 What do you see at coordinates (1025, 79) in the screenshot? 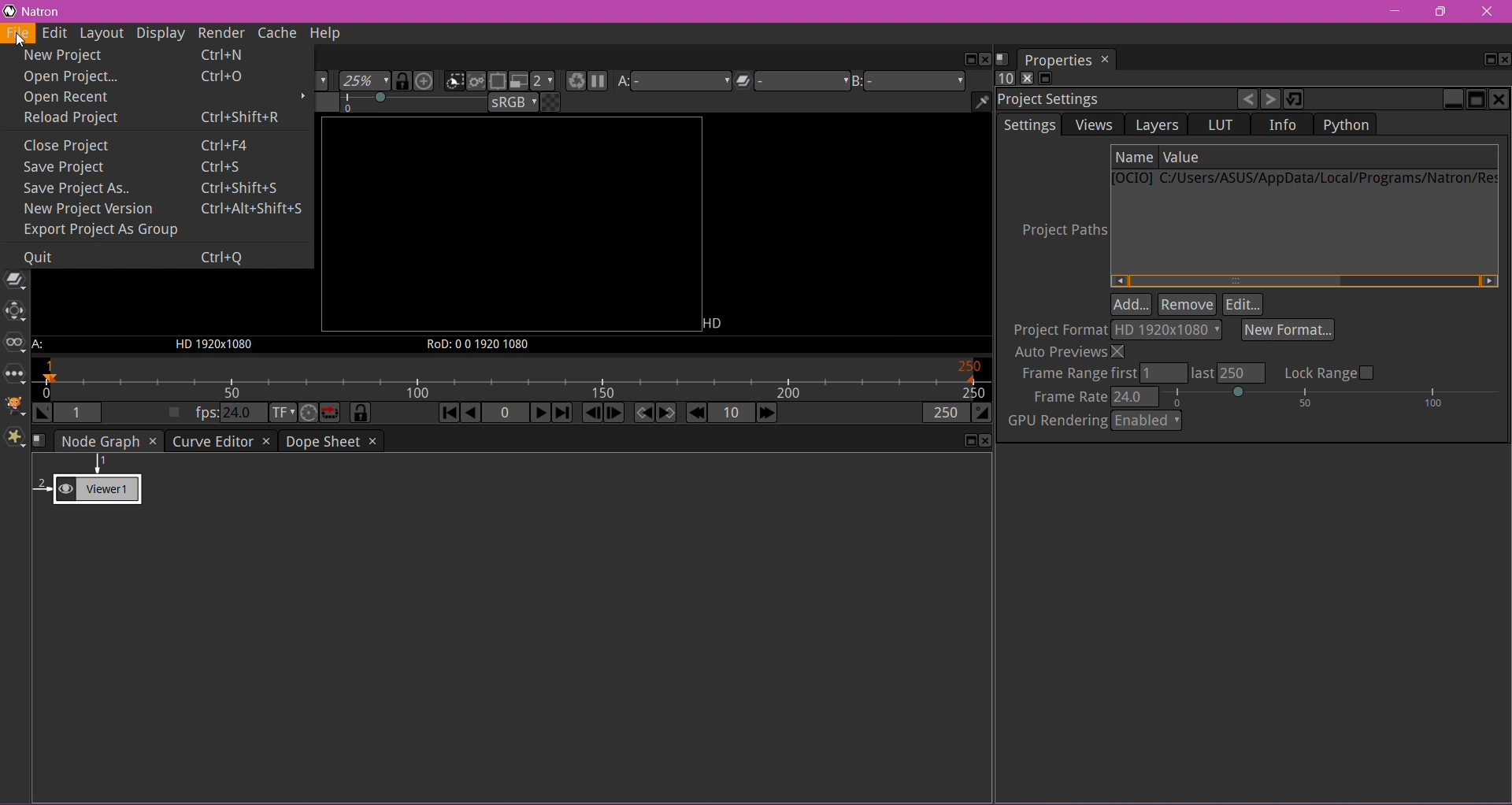
I see `Clears all panels in the properties bin pane` at bounding box center [1025, 79].